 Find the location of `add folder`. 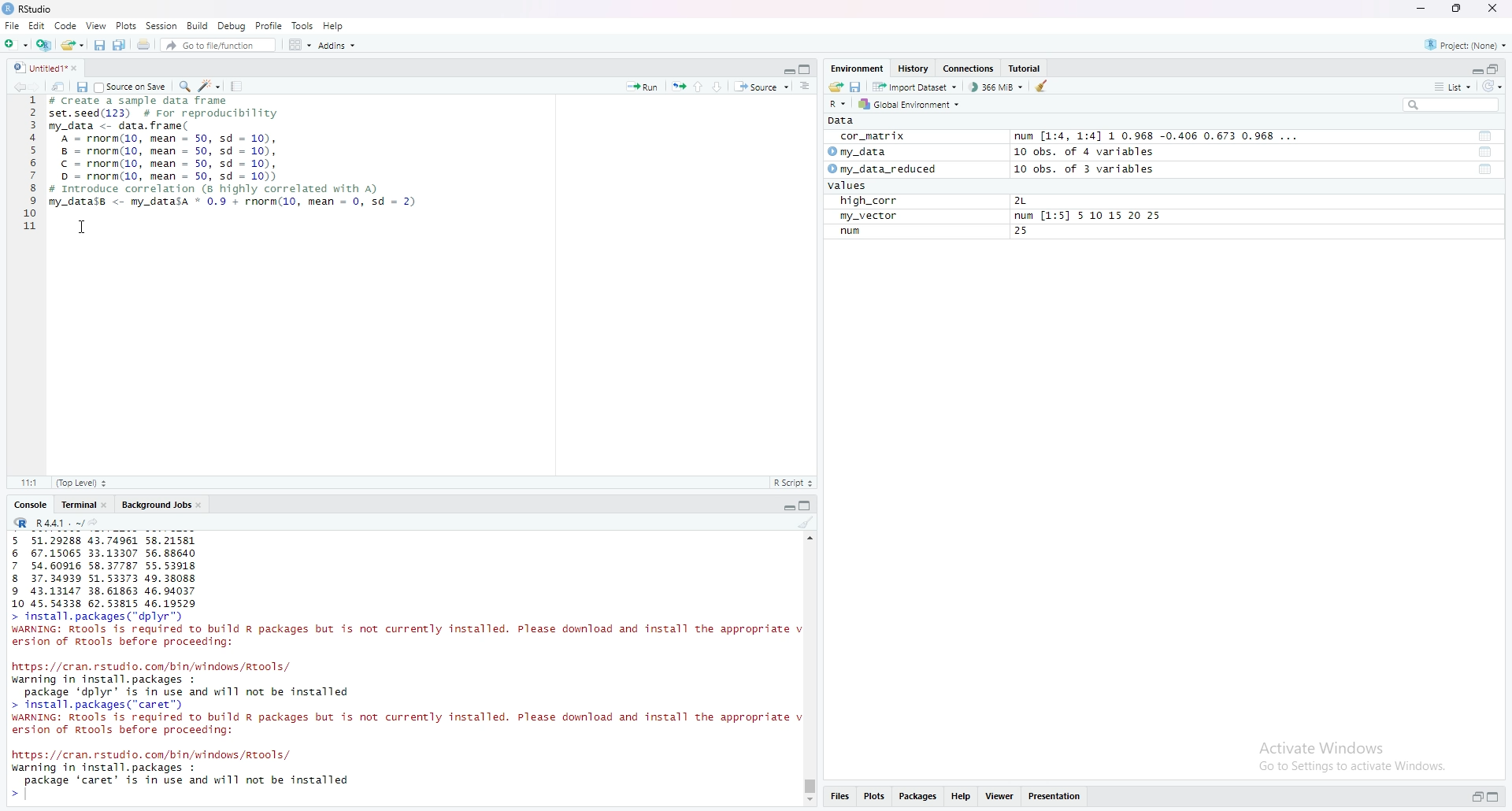

add folder is located at coordinates (18, 44).